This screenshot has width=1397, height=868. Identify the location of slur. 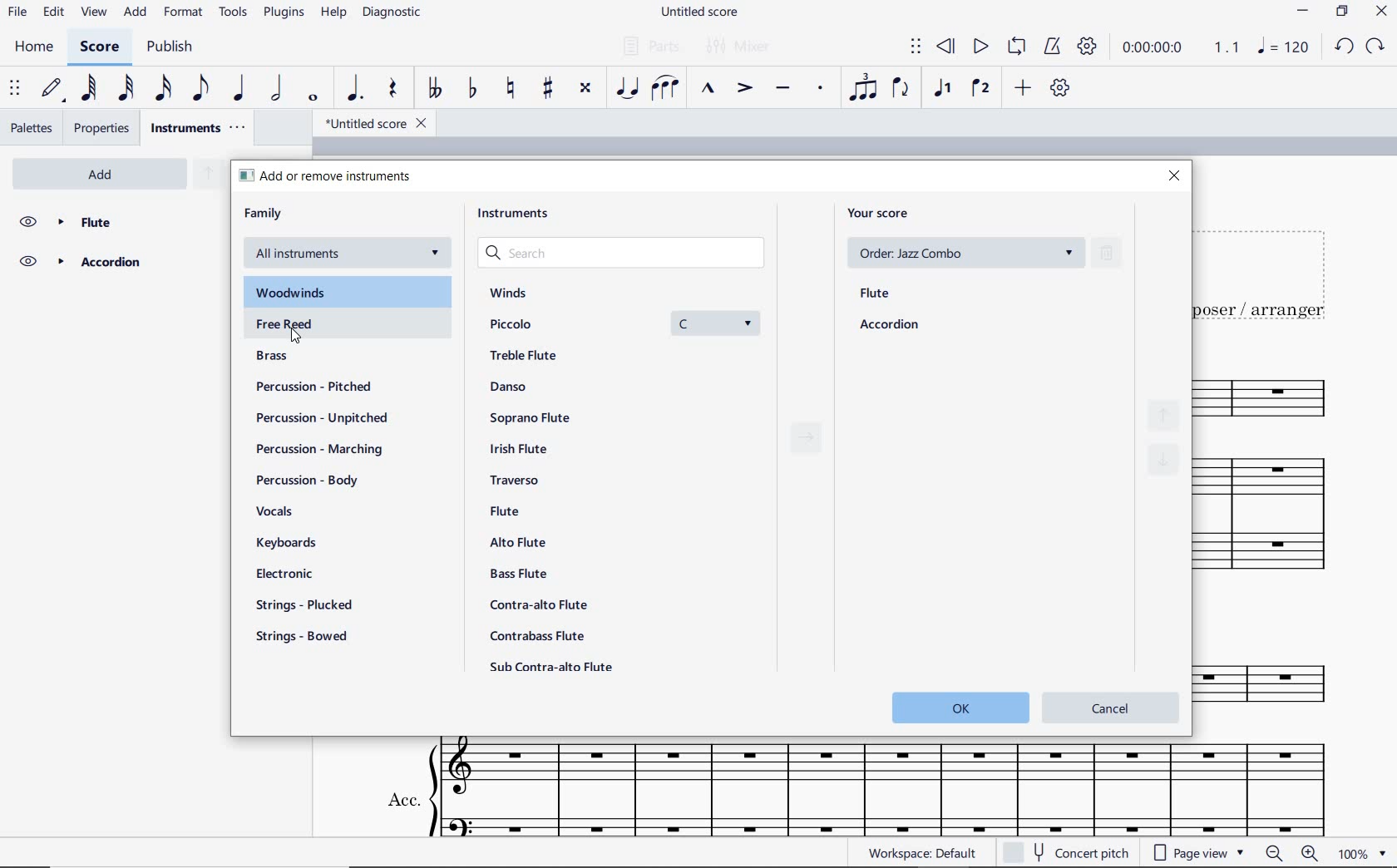
(668, 89).